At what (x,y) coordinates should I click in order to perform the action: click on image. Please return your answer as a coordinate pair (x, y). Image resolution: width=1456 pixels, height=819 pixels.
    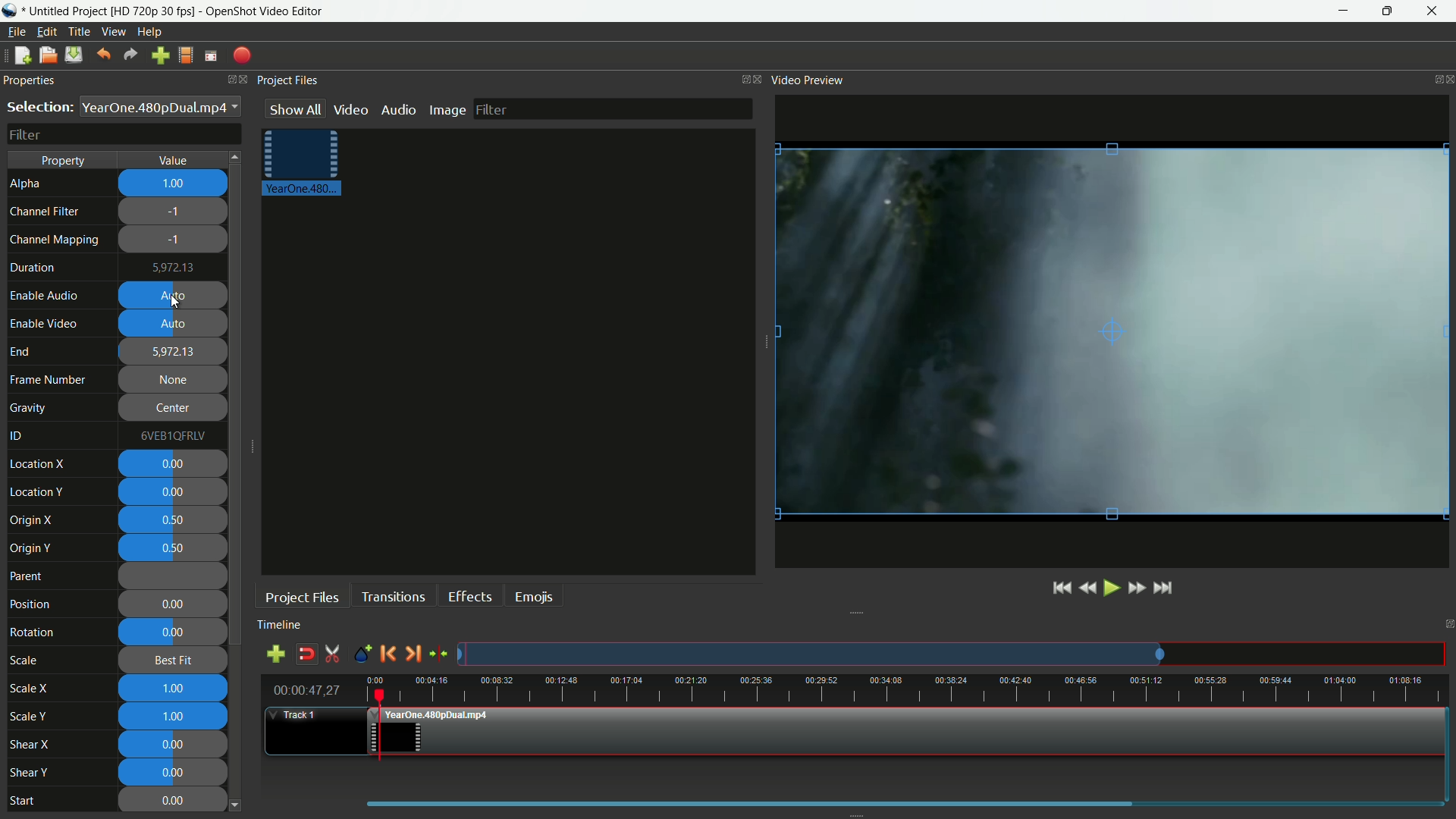
    Looking at the image, I should click on (448, 108).